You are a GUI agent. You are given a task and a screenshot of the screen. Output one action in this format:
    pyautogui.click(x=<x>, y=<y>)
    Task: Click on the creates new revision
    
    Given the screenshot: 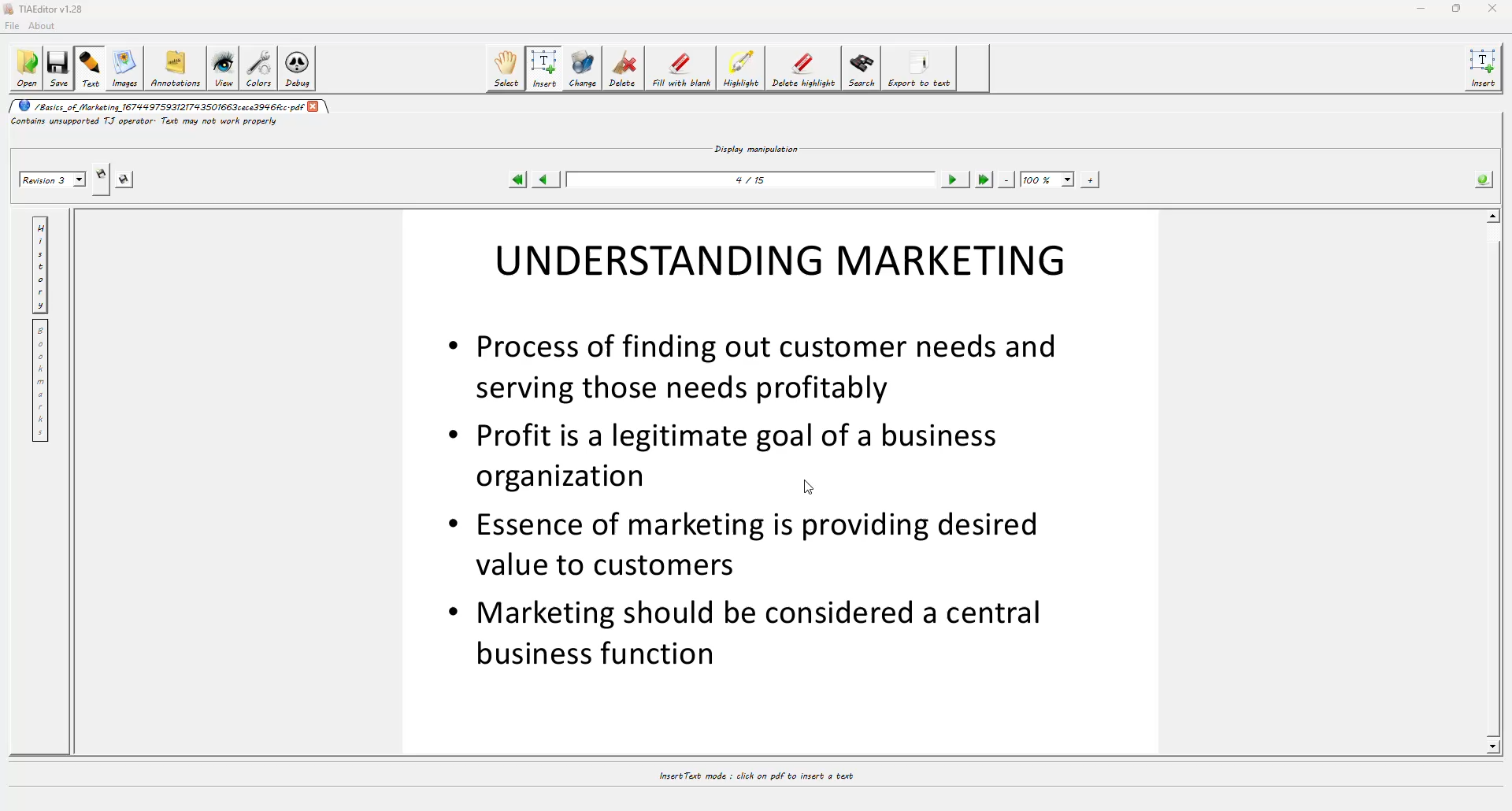 What is the action you would take?
    pyautogui.click(x=100, y=172)
    